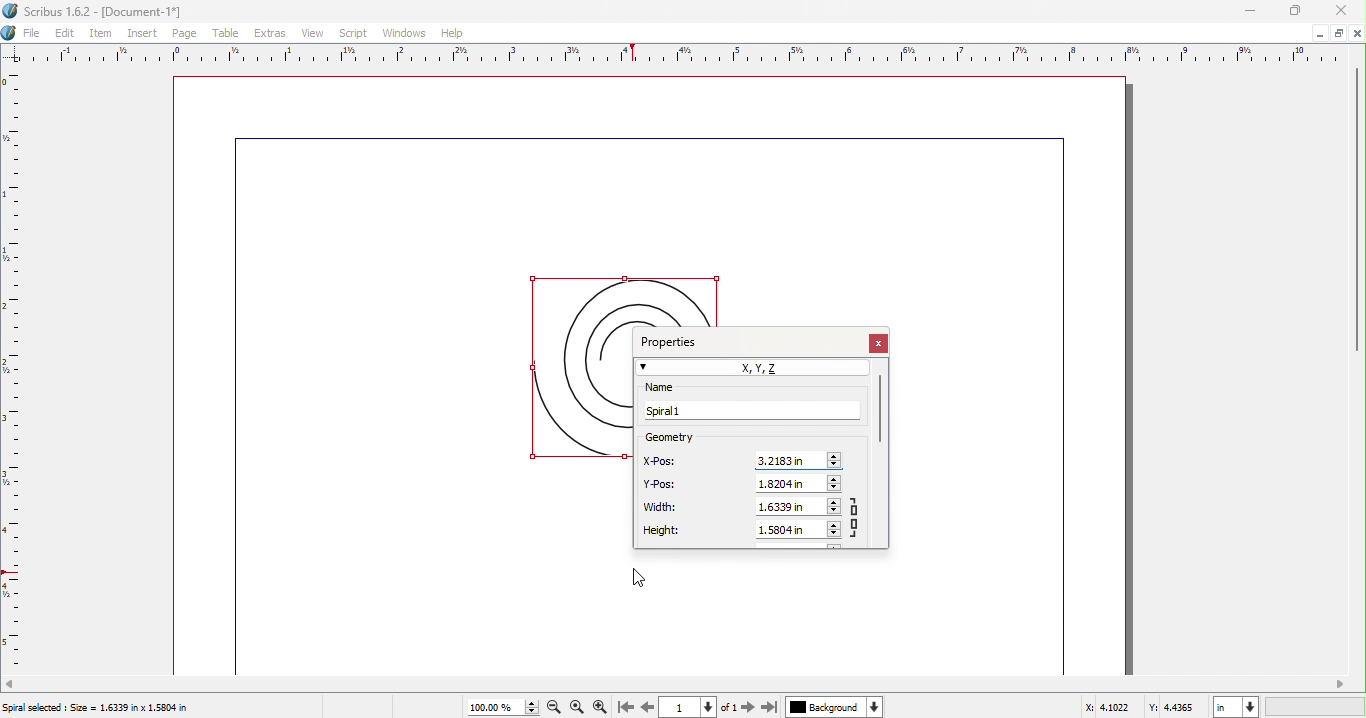  What do you see at coordinates (875, 707) in the screenshot?
I see `change background` at bounding box center [875, 707].